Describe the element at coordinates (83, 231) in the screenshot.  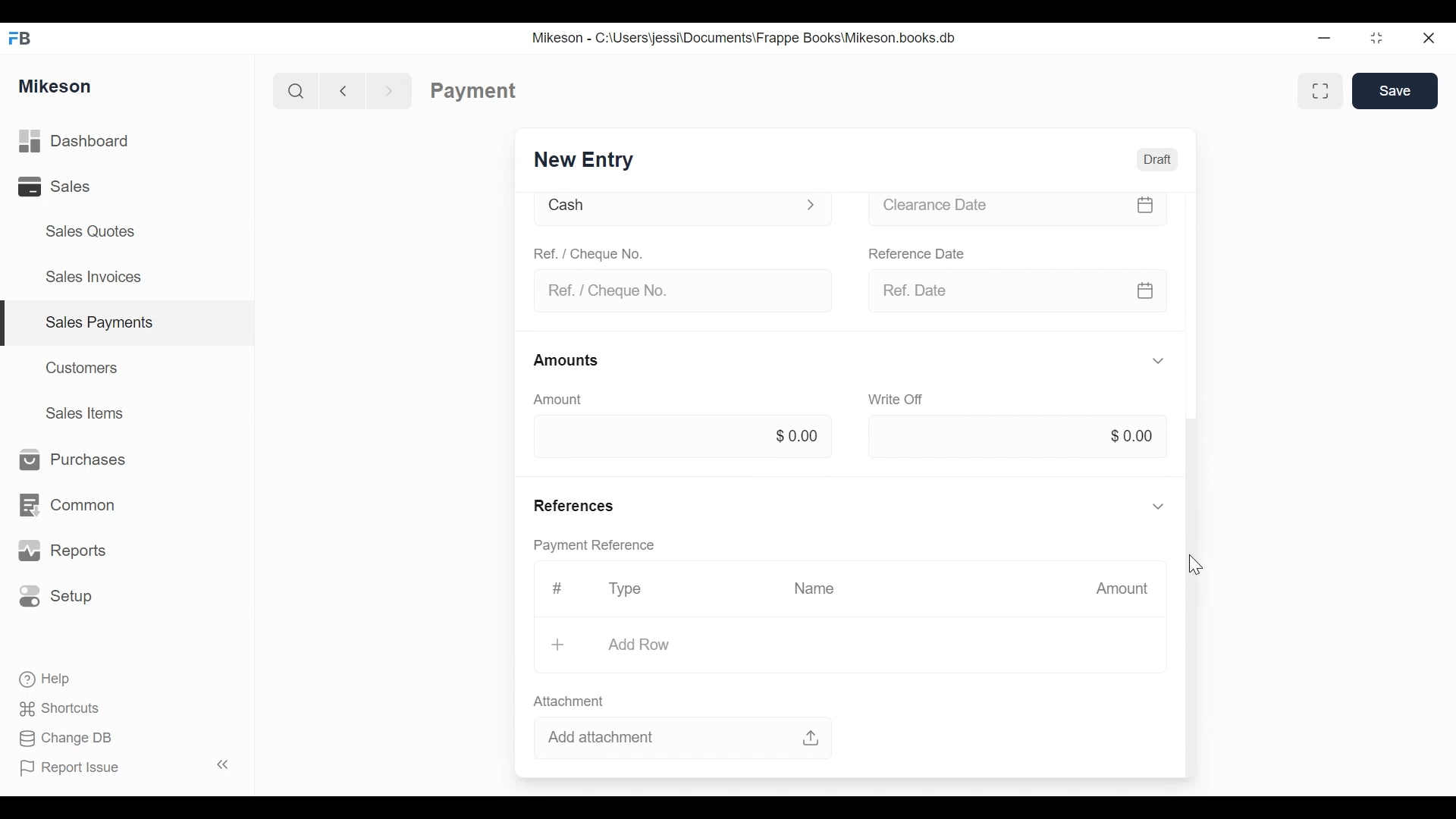
I see `Sales Quotes` at that location.